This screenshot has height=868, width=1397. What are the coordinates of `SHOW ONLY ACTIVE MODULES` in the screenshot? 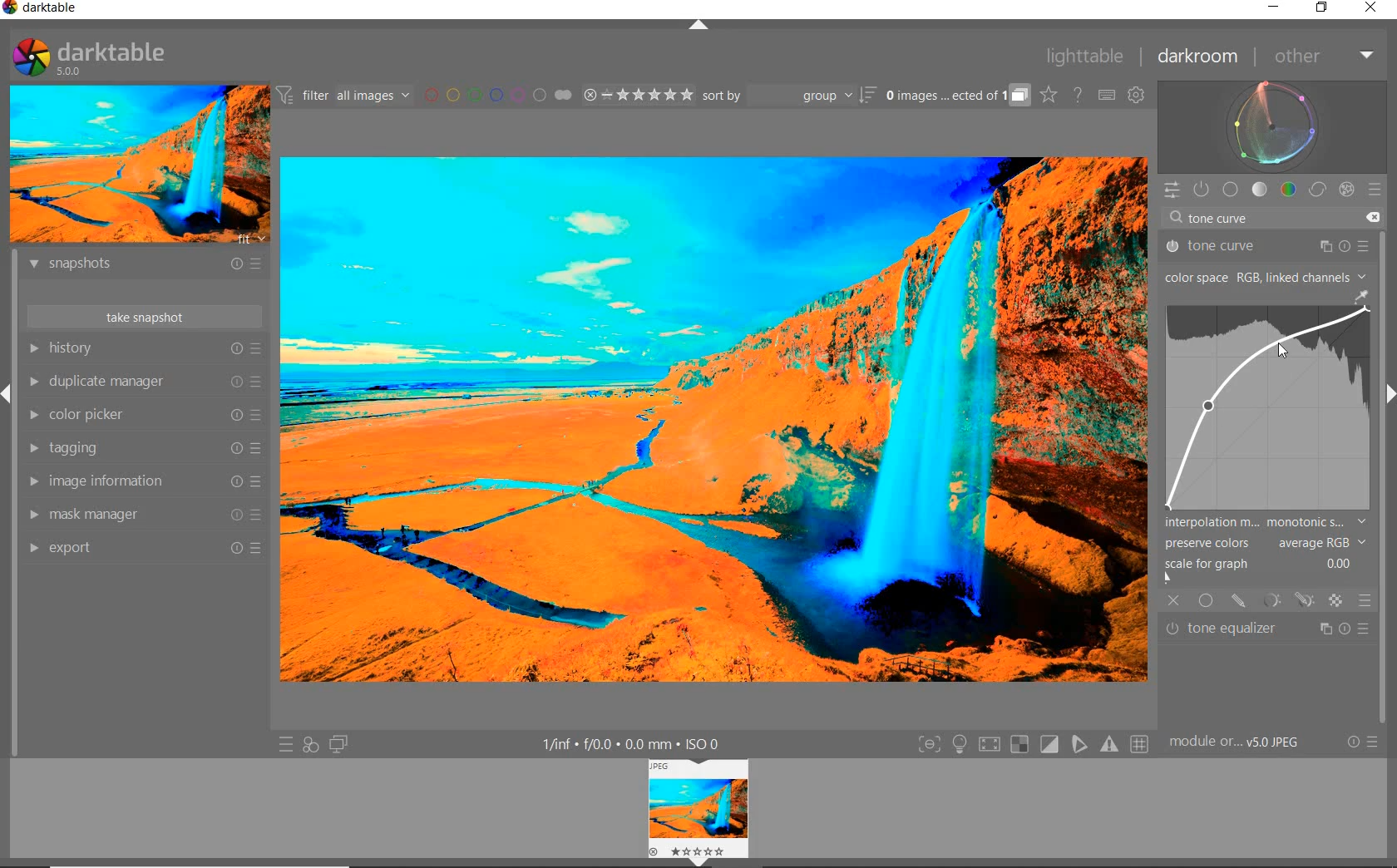 It's located at (1202, 190).